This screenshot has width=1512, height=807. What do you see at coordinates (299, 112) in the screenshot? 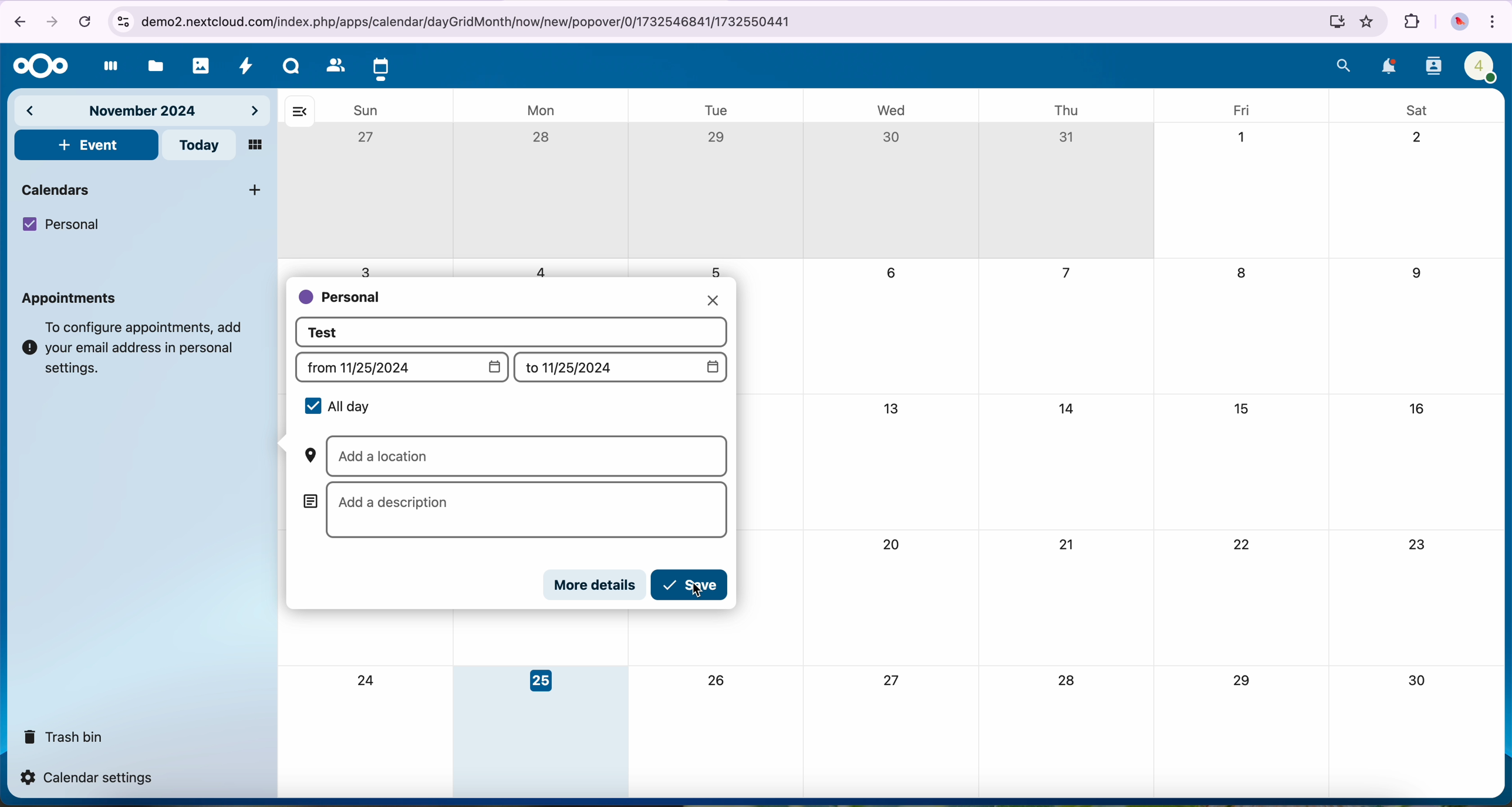
I see `hide bar` at bounding box center [299, 112].